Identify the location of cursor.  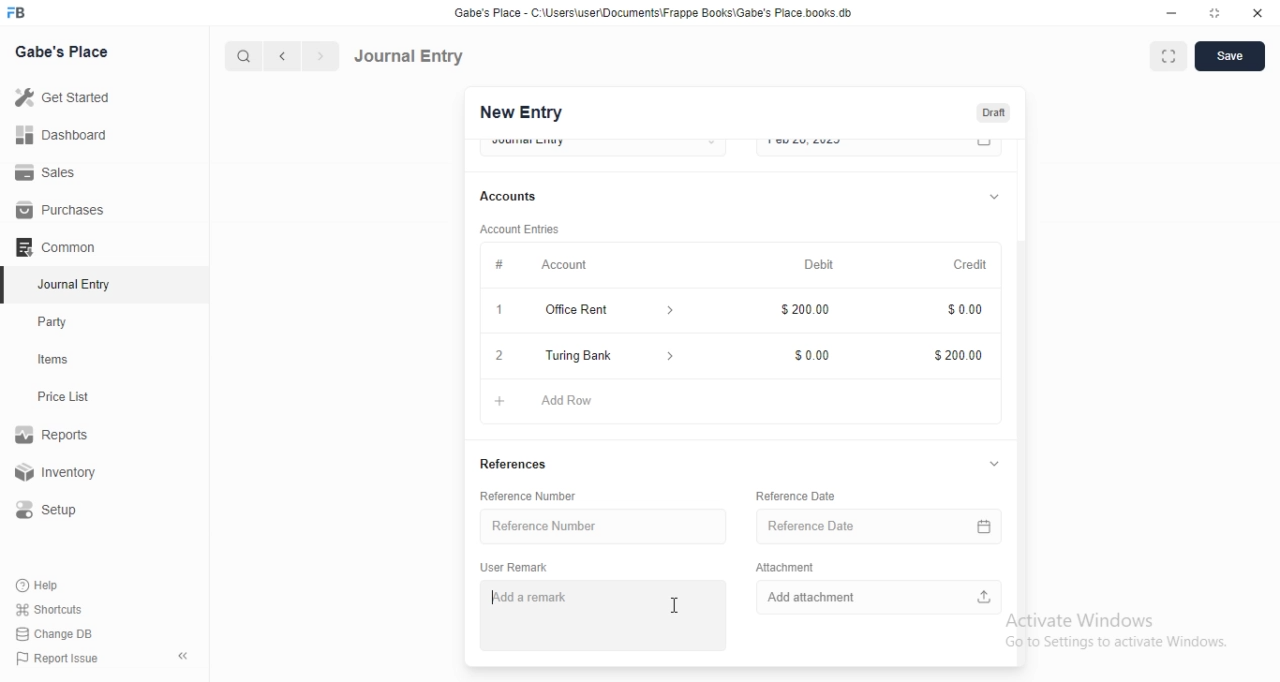
(681, 606).